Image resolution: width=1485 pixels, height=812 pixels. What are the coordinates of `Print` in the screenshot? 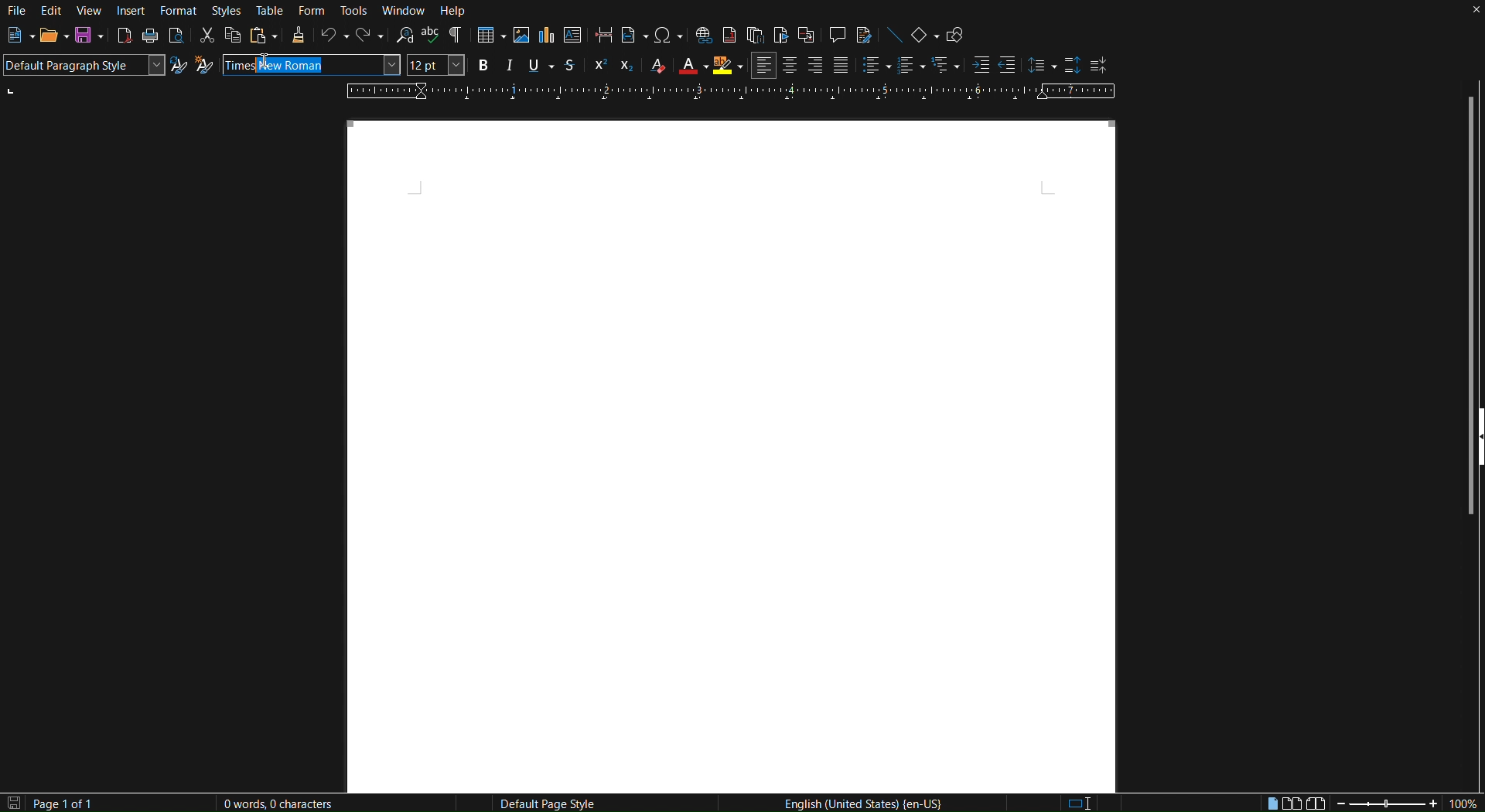 It's located at (151, 38).